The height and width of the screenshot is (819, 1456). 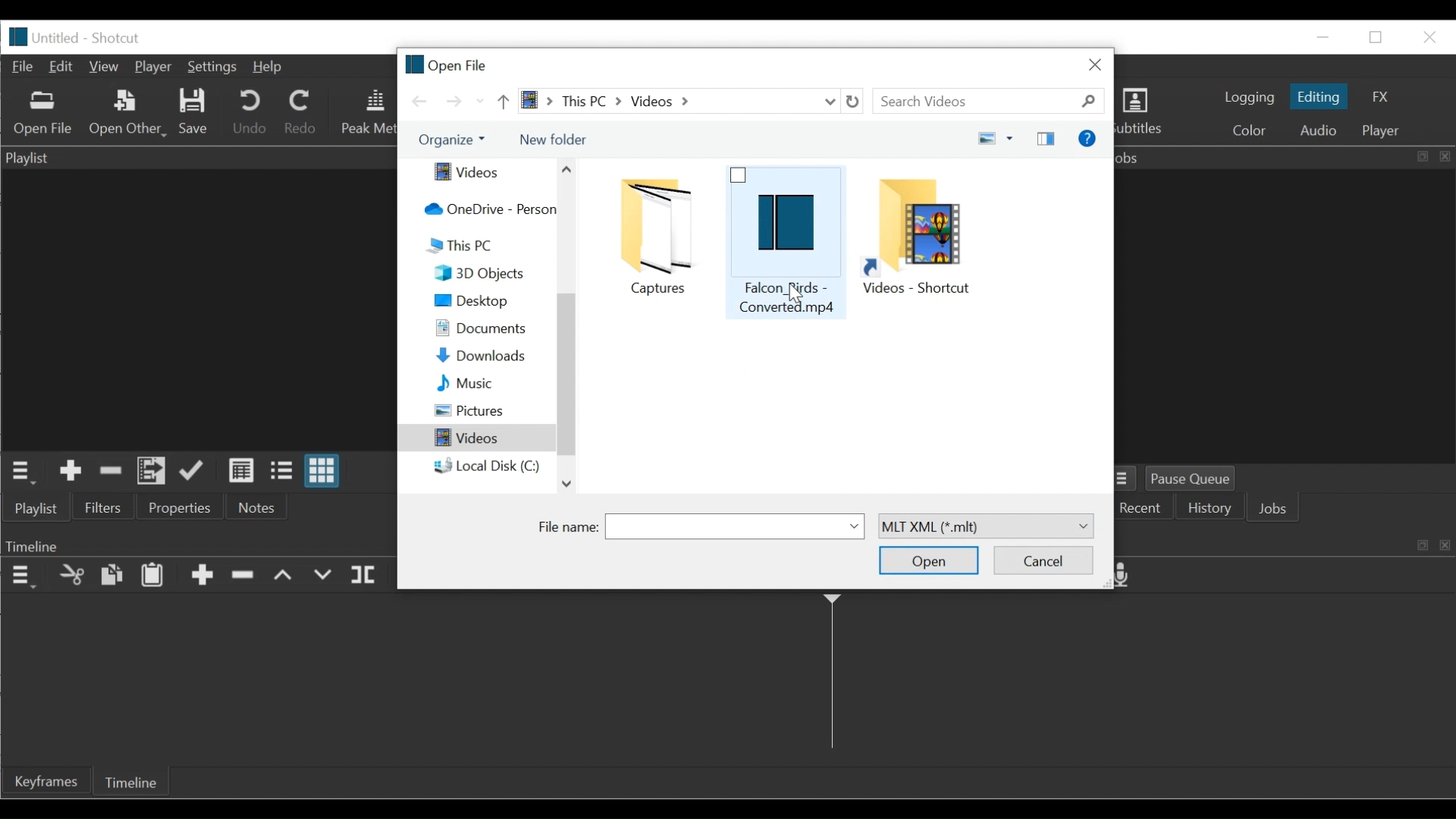 I want to click on player, so click(x=1385, y=132).